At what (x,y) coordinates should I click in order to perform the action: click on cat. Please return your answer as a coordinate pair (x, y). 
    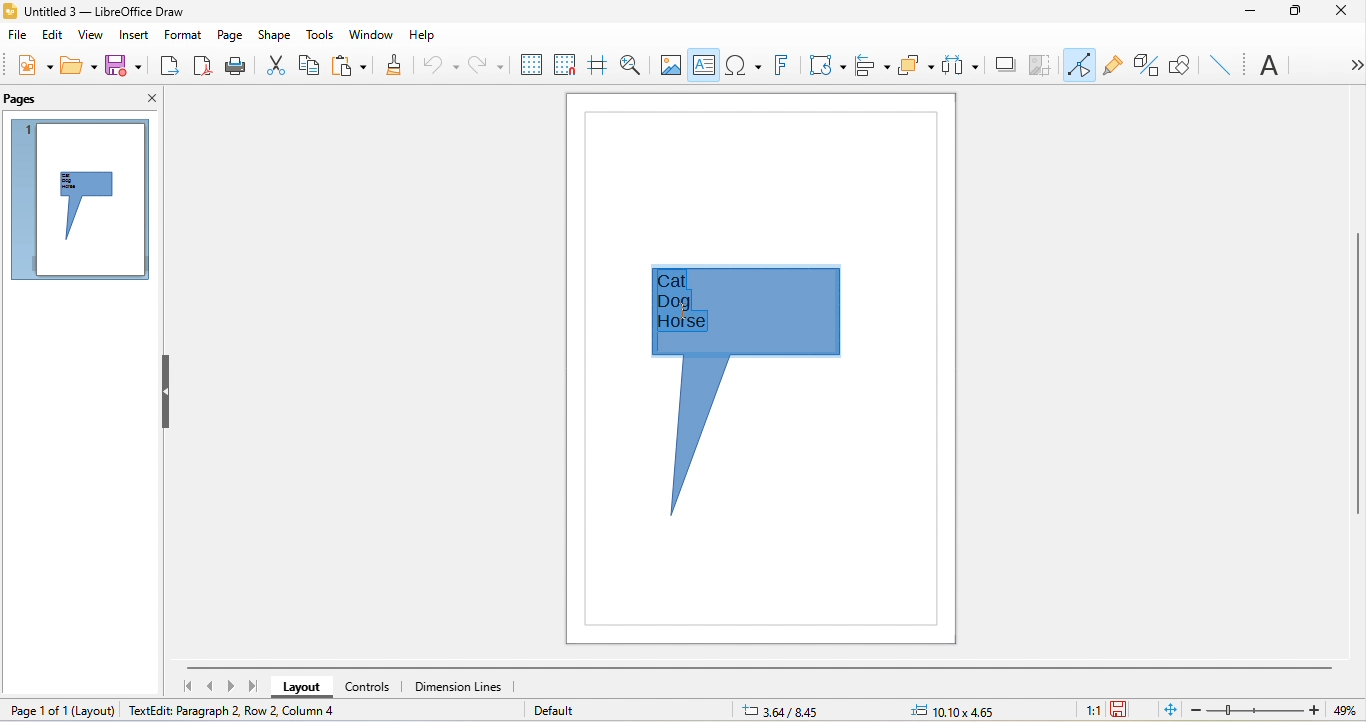
    Looking at the image, I should click on (689, 281).